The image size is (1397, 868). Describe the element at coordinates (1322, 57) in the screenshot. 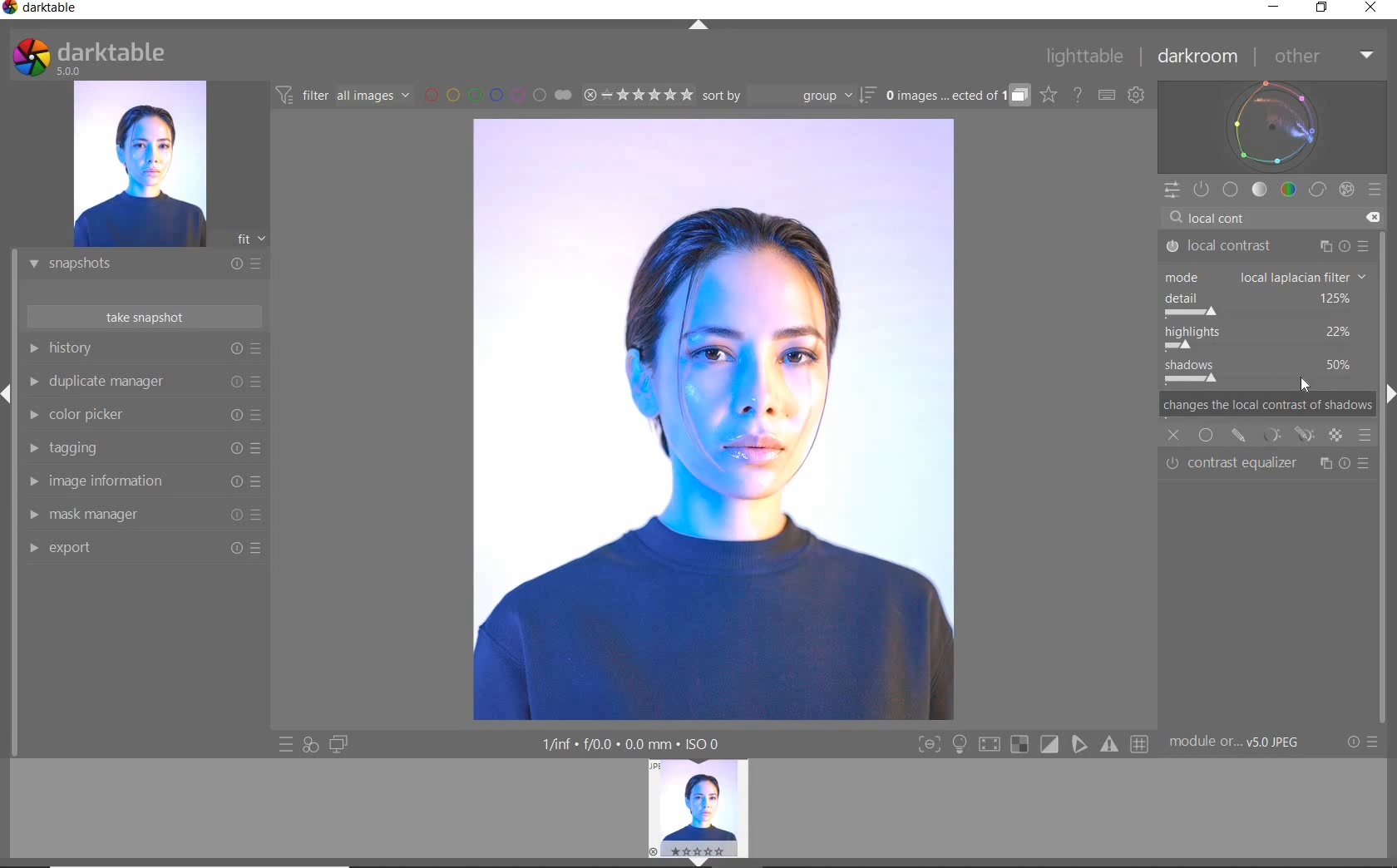

I see `OTHER` at that location.